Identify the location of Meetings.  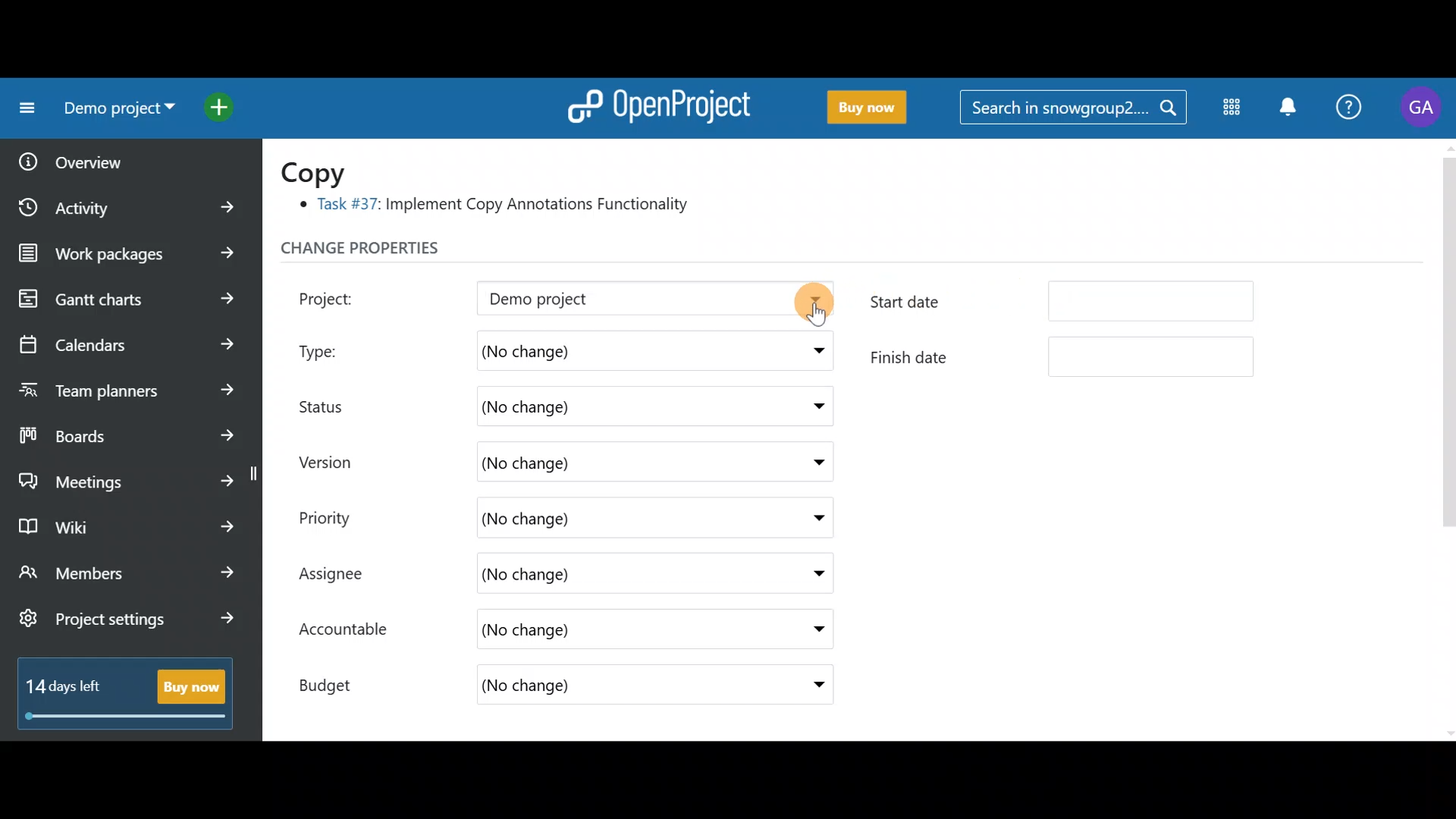
(127, 478).